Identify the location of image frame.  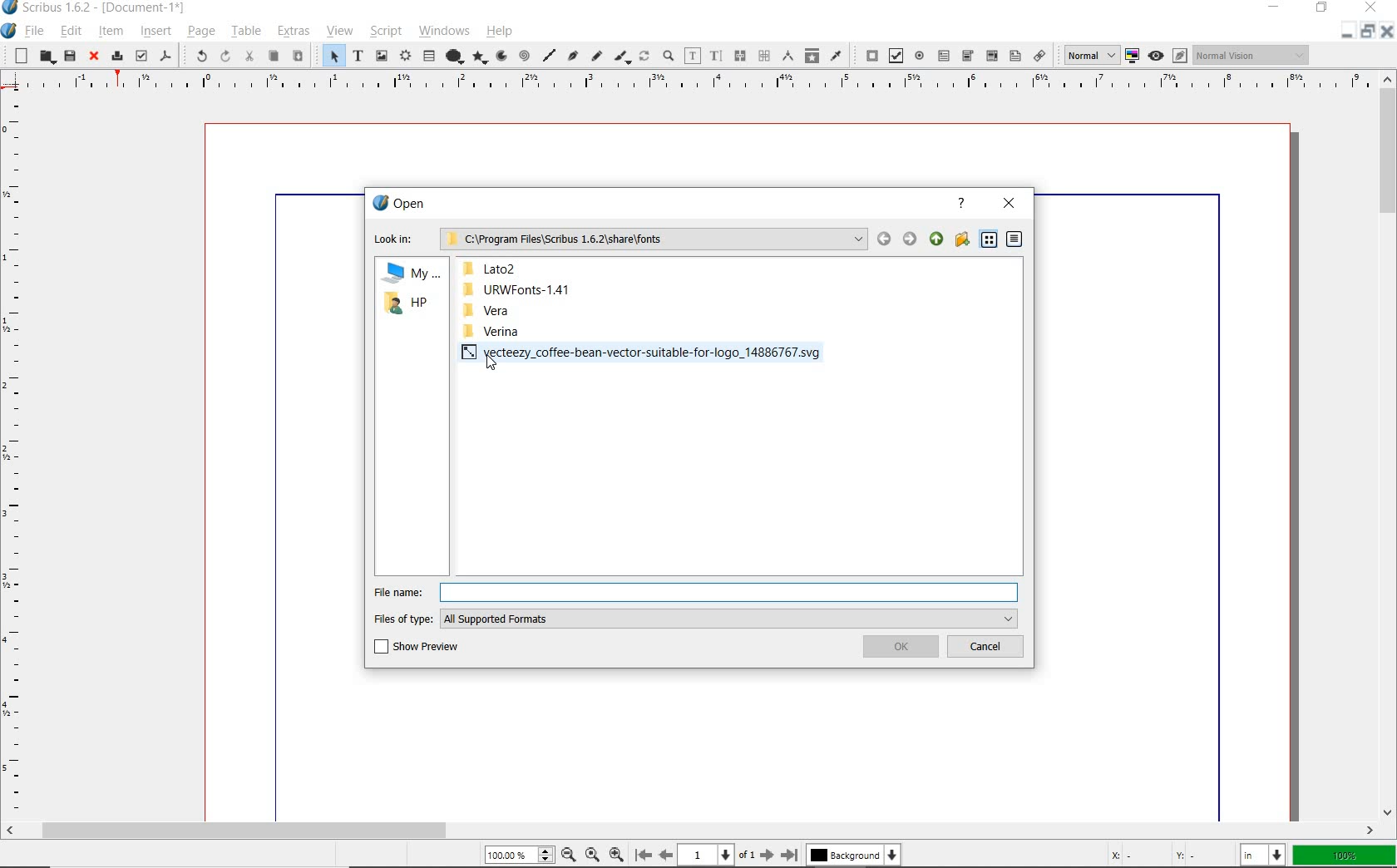
(380, 57).